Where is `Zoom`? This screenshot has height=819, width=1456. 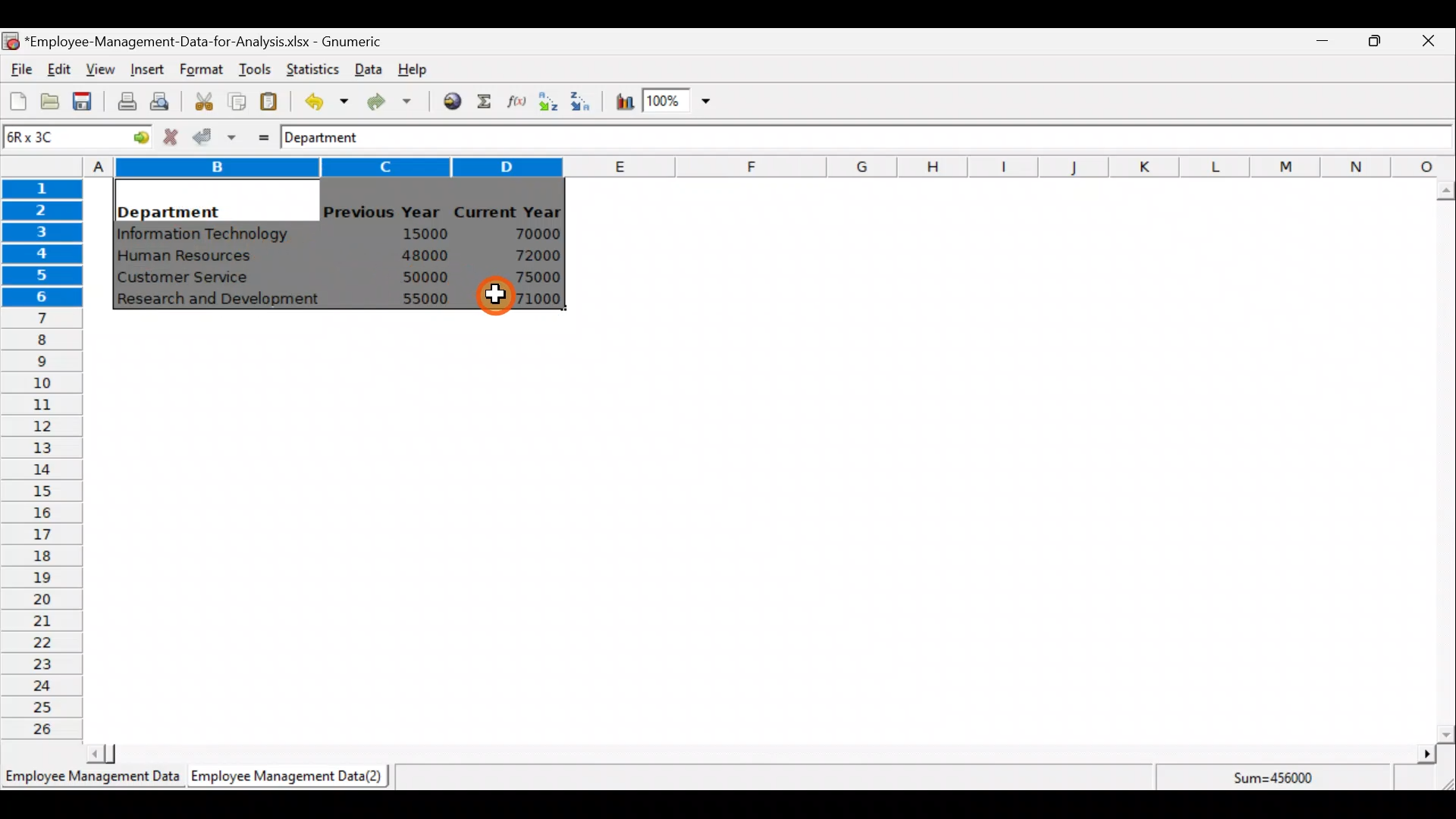
Zoom is located at coordinates (679, 103).